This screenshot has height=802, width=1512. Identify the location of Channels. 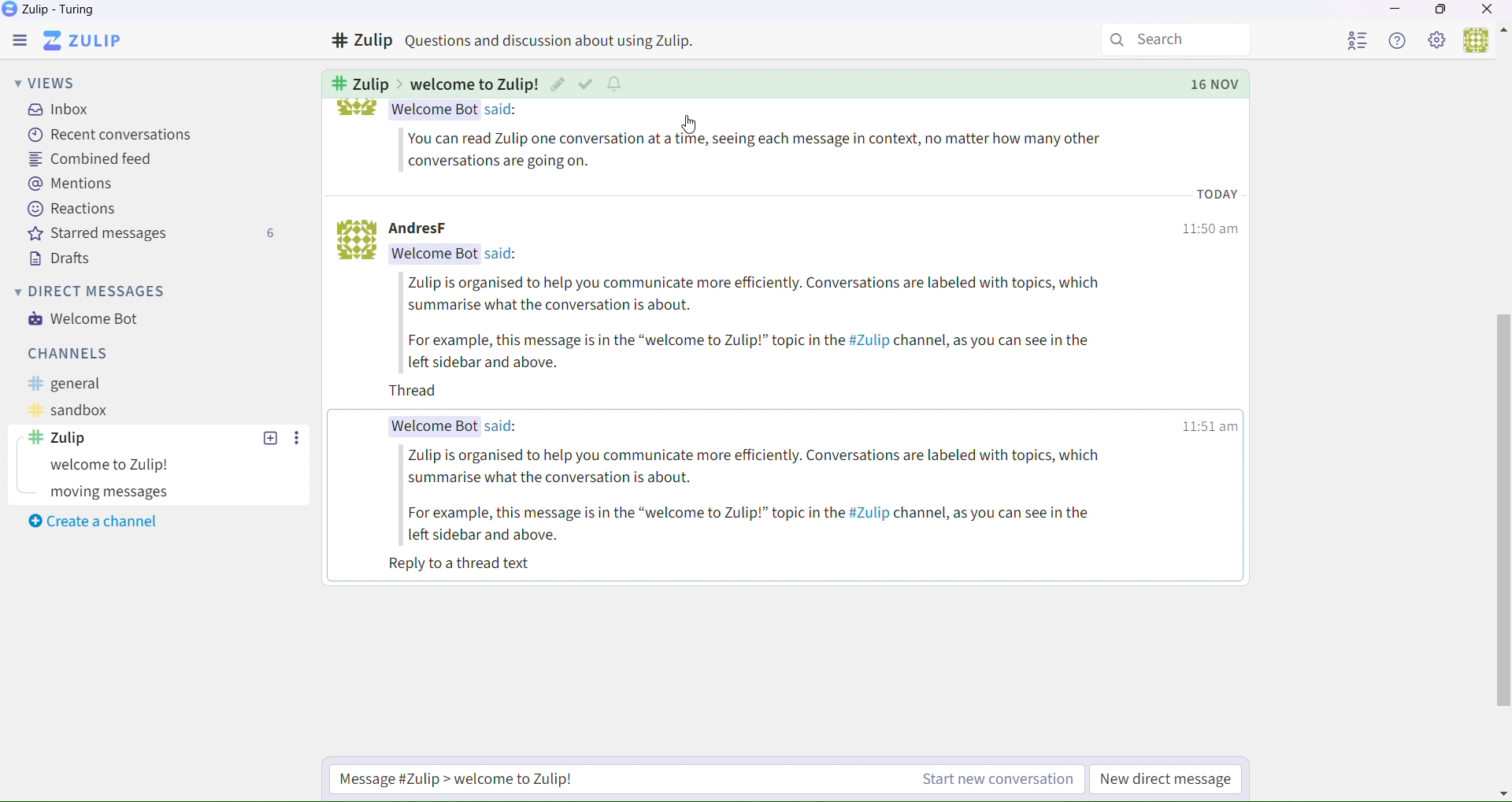
(64, 352).